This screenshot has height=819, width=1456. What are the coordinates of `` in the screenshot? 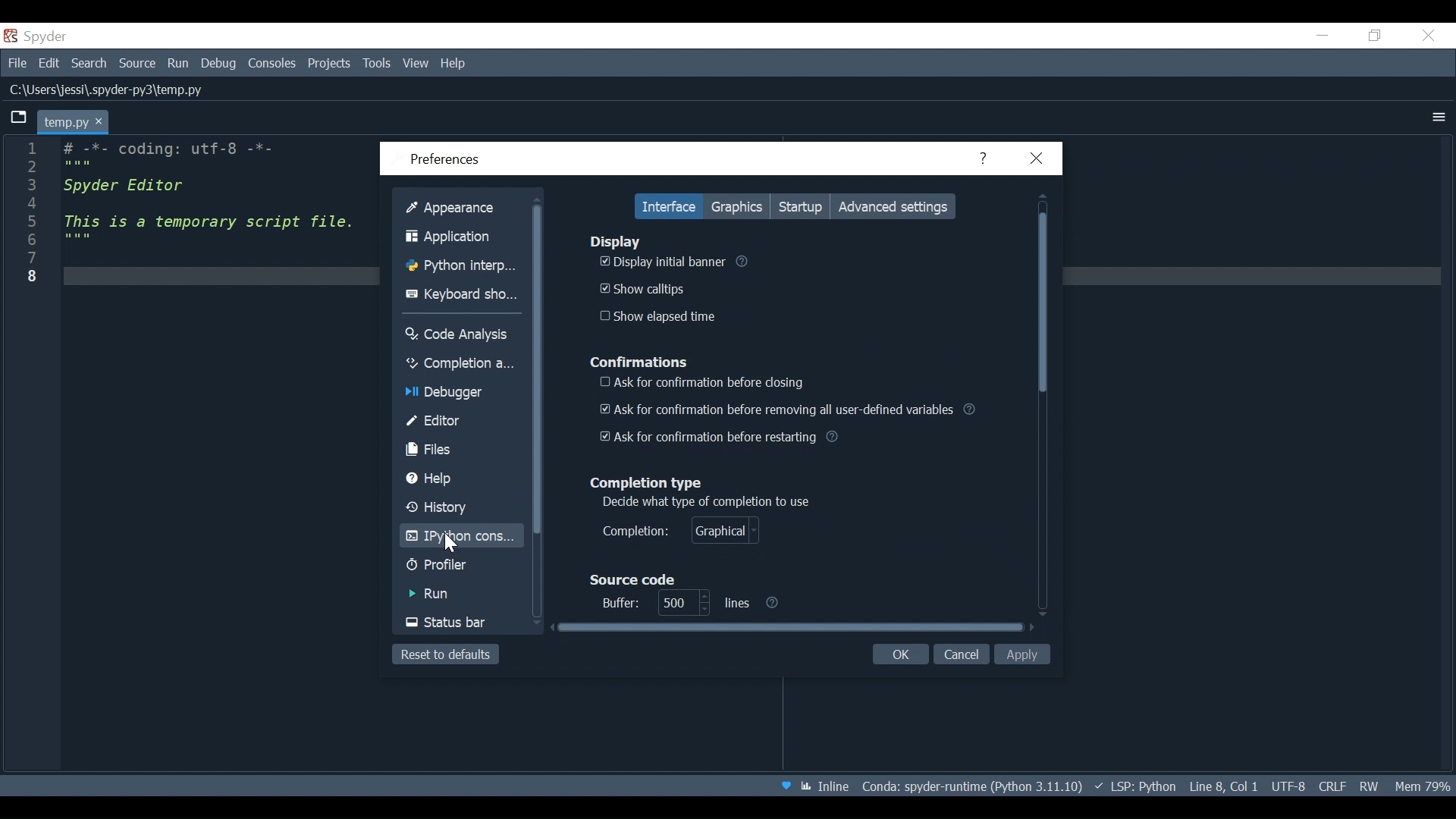 It's located at (748, 265).